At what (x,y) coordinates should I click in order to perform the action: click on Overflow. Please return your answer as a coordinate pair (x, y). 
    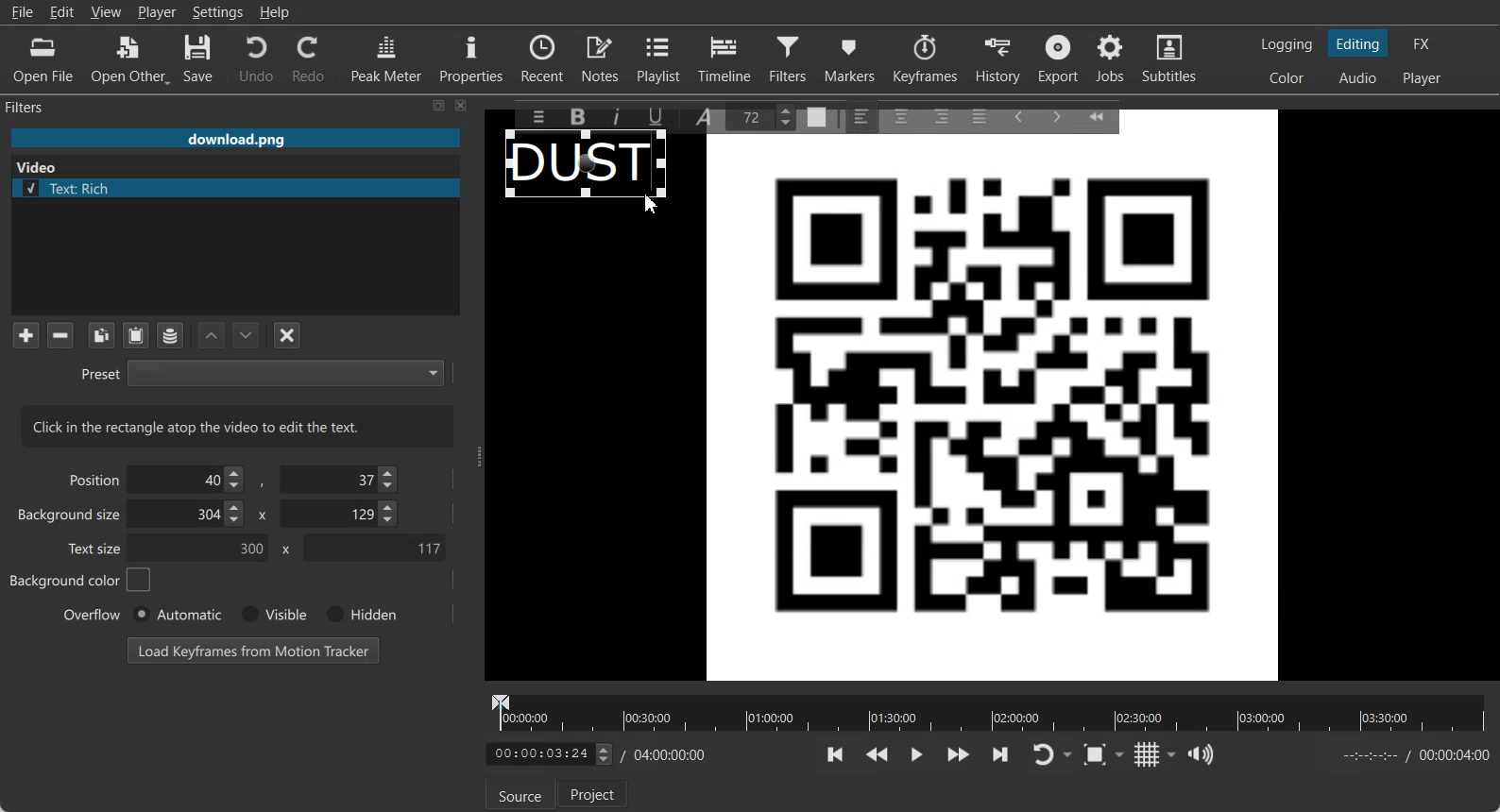
    Looking at the image, I should click on (93, 614).